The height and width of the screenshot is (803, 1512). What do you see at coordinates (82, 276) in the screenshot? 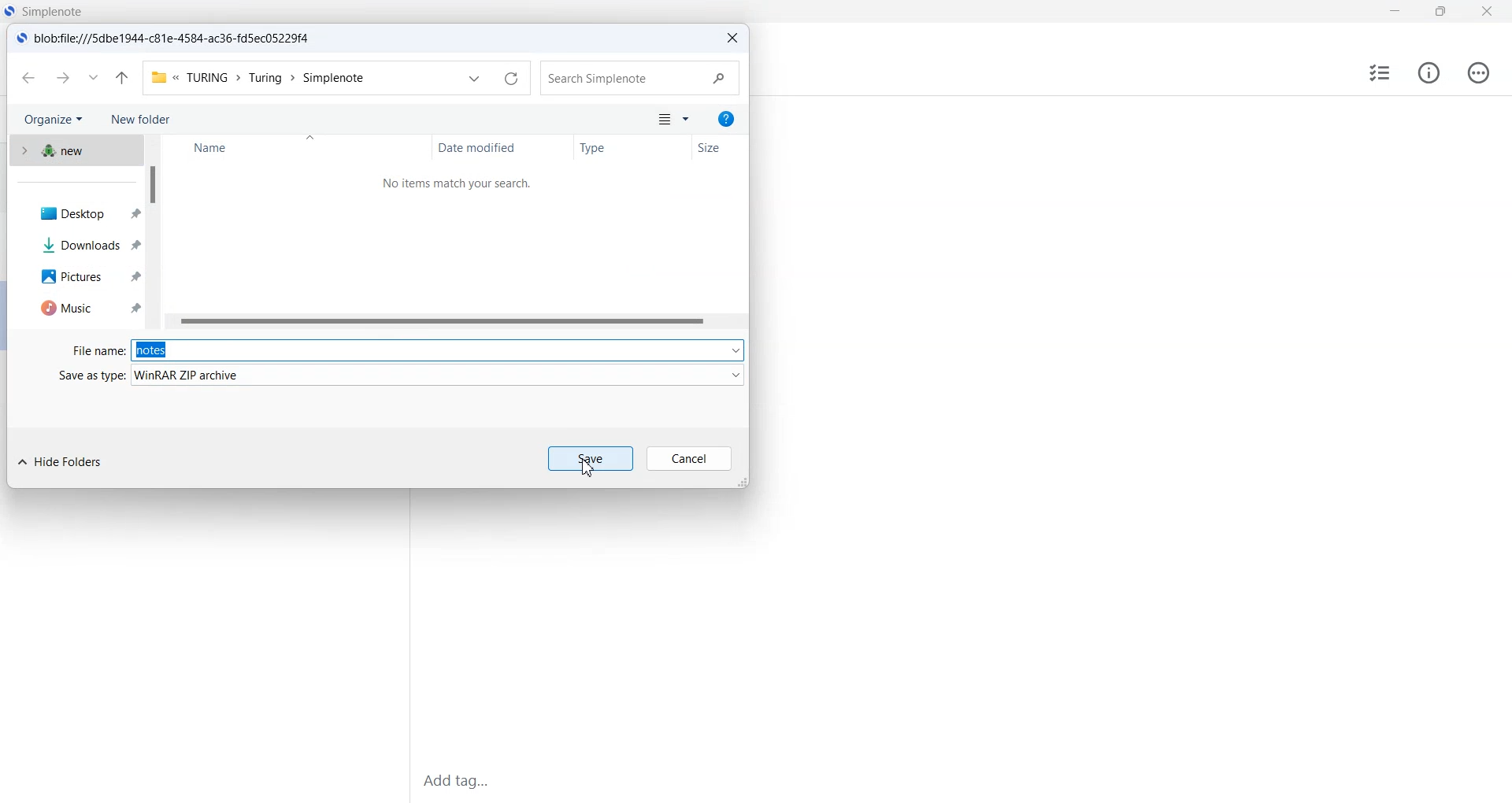
I see `Pictures` at bounding box center [82, 276].